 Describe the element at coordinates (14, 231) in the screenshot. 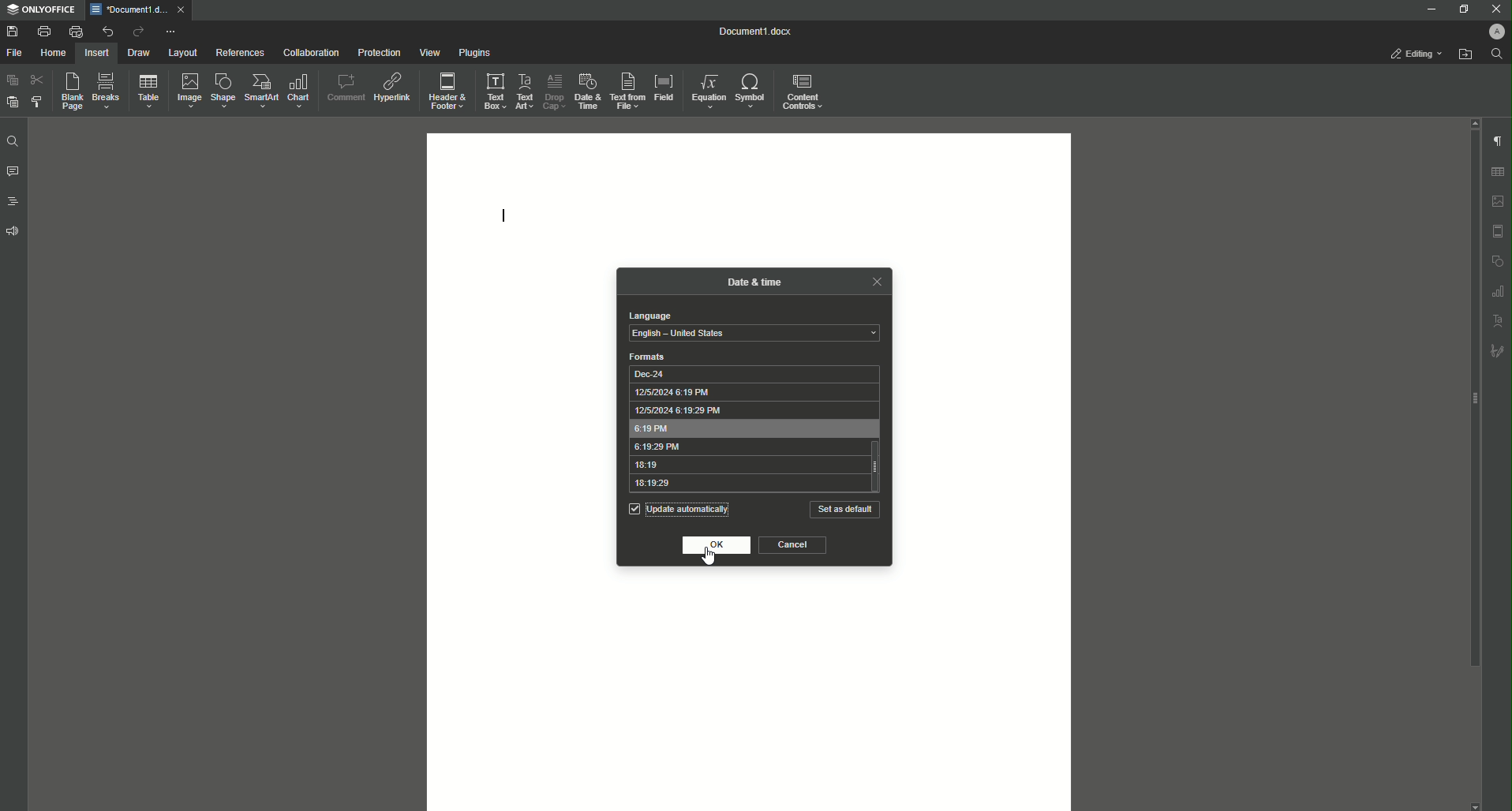

I see `Feedback` at that location.